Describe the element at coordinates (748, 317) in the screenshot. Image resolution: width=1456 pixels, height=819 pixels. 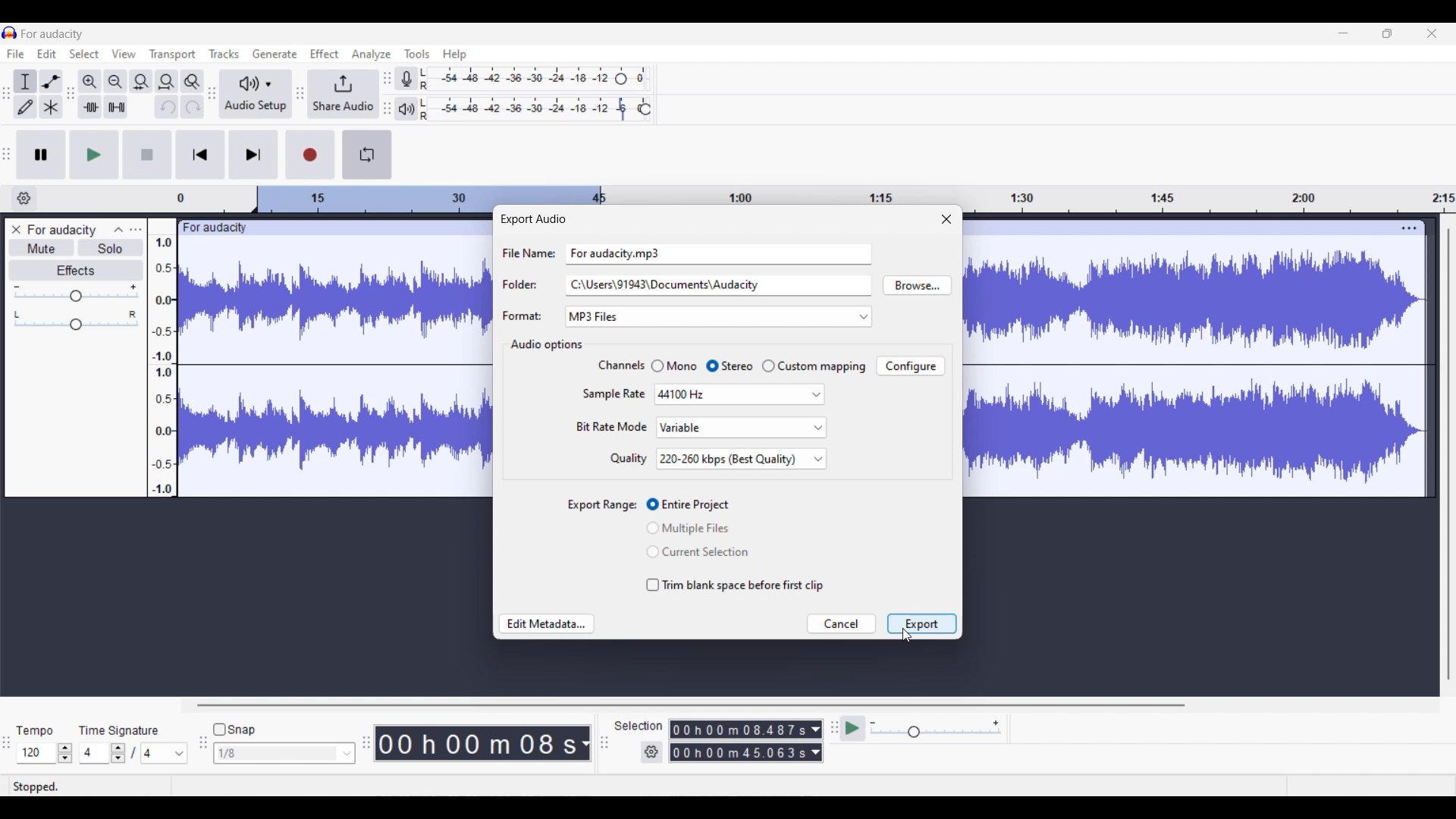
I see `Format options to choose from` at that location.